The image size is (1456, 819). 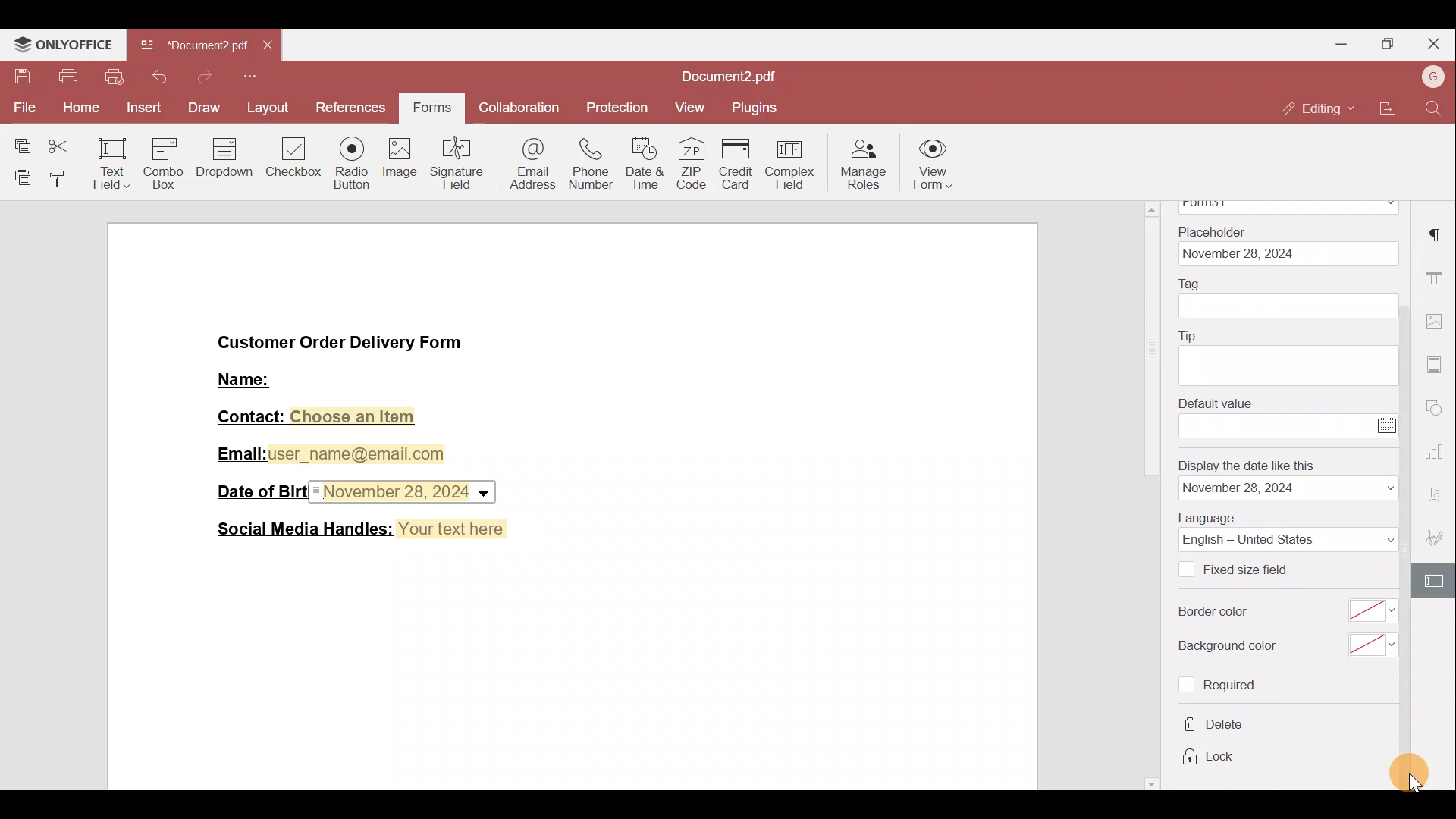 I want to click on Date & time field inserted, so click(x=406, y=492).